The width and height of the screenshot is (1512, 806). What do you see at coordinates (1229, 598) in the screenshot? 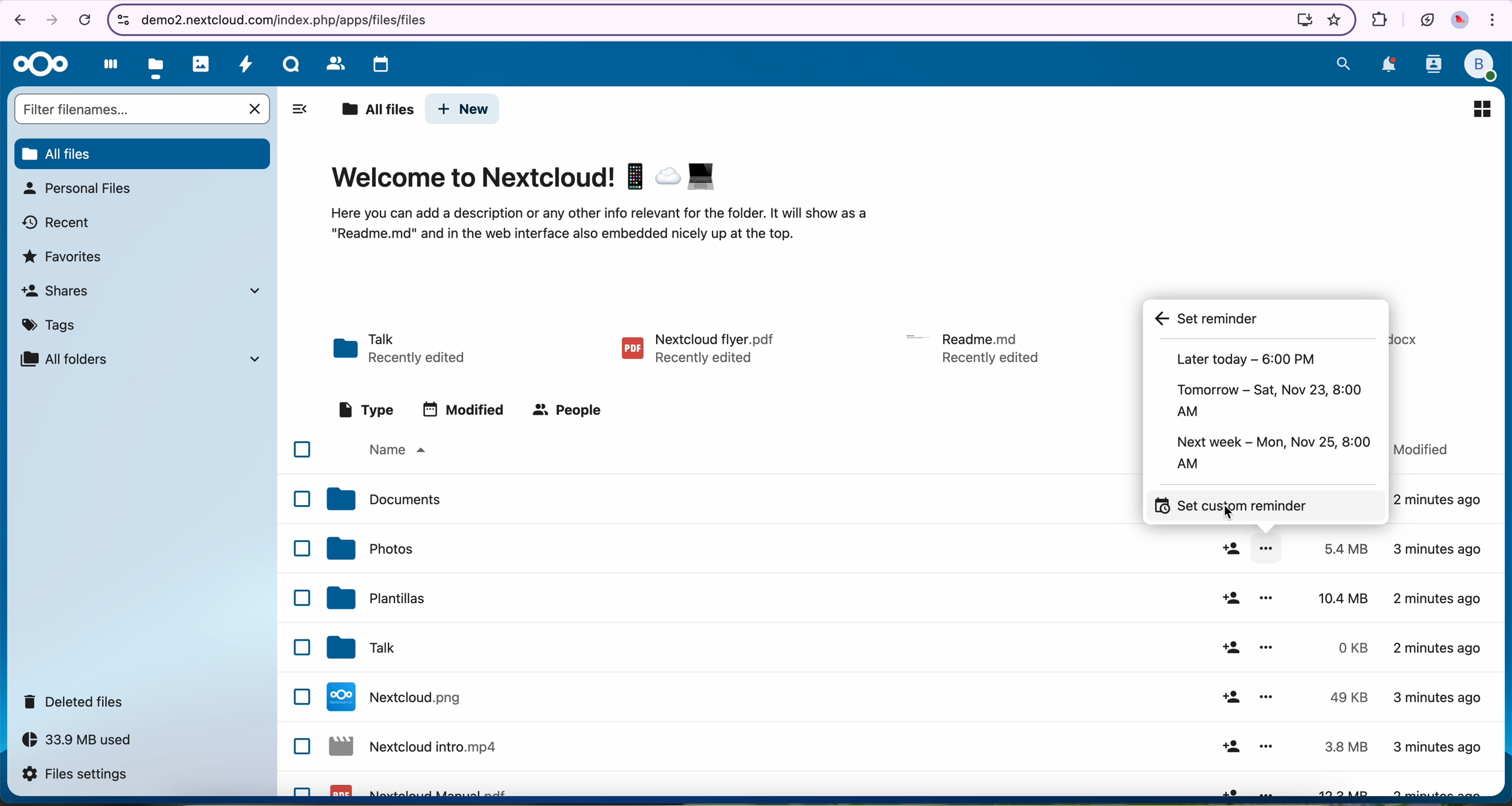
I see `share` at bounding box center [1229, 598].